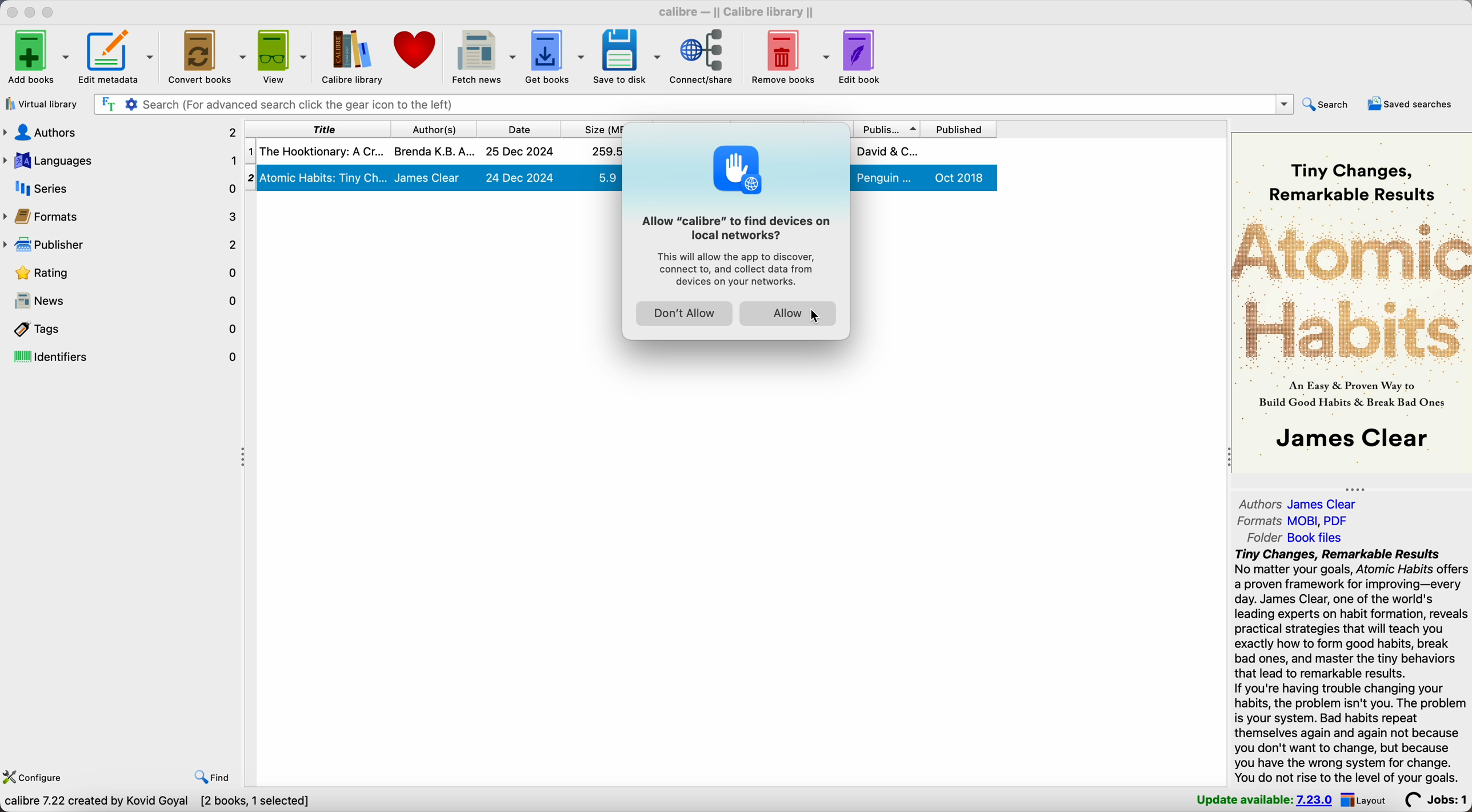 Image resolution: width=1472 pixels, height=812 pixels. I want to click on identifiers, so click(122, 357).